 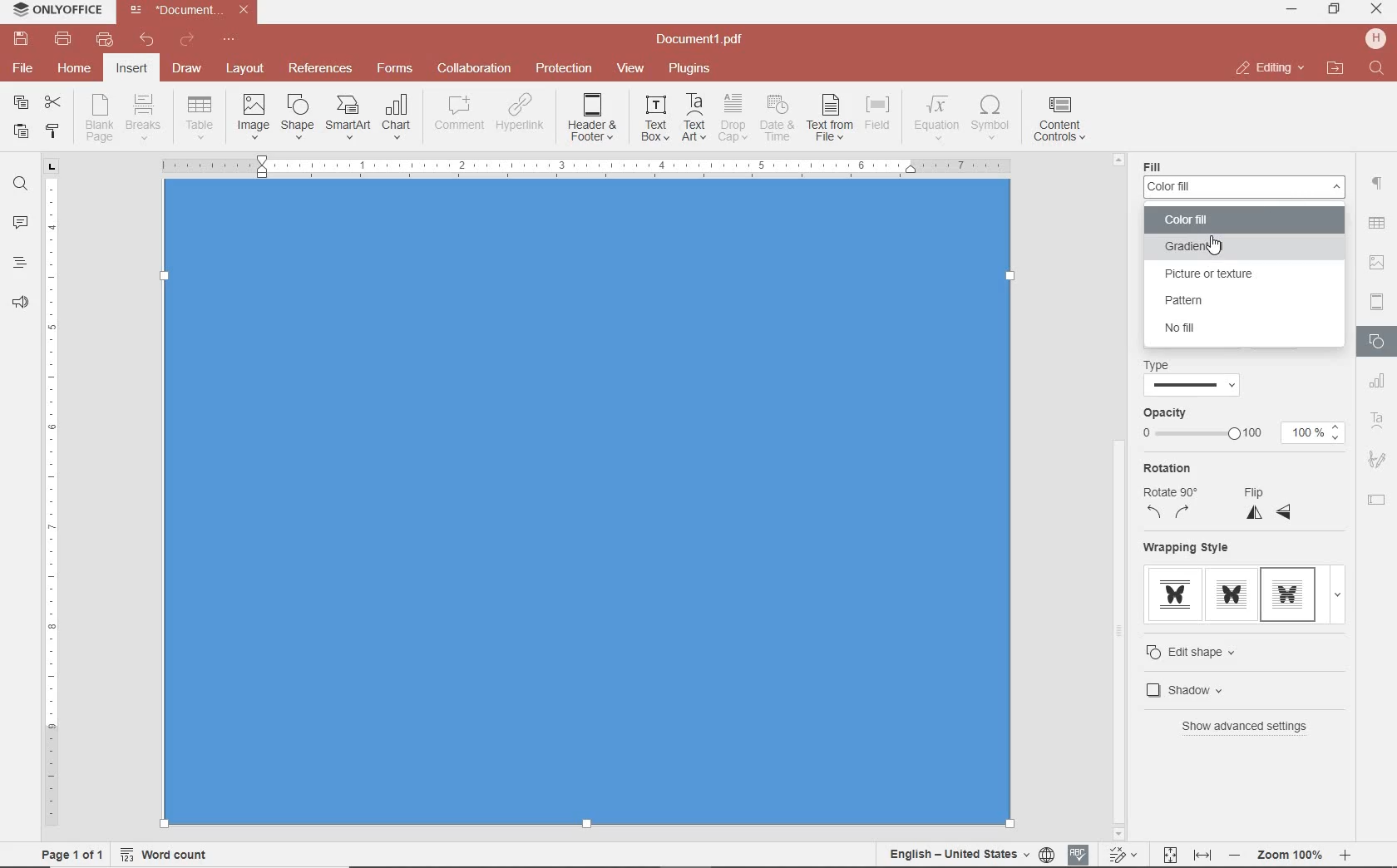 What do you see at coordinates (594, 118) in the screenshot?
I see `EDIT HEADER OR FOOTER` at bounding box center [594, 118].